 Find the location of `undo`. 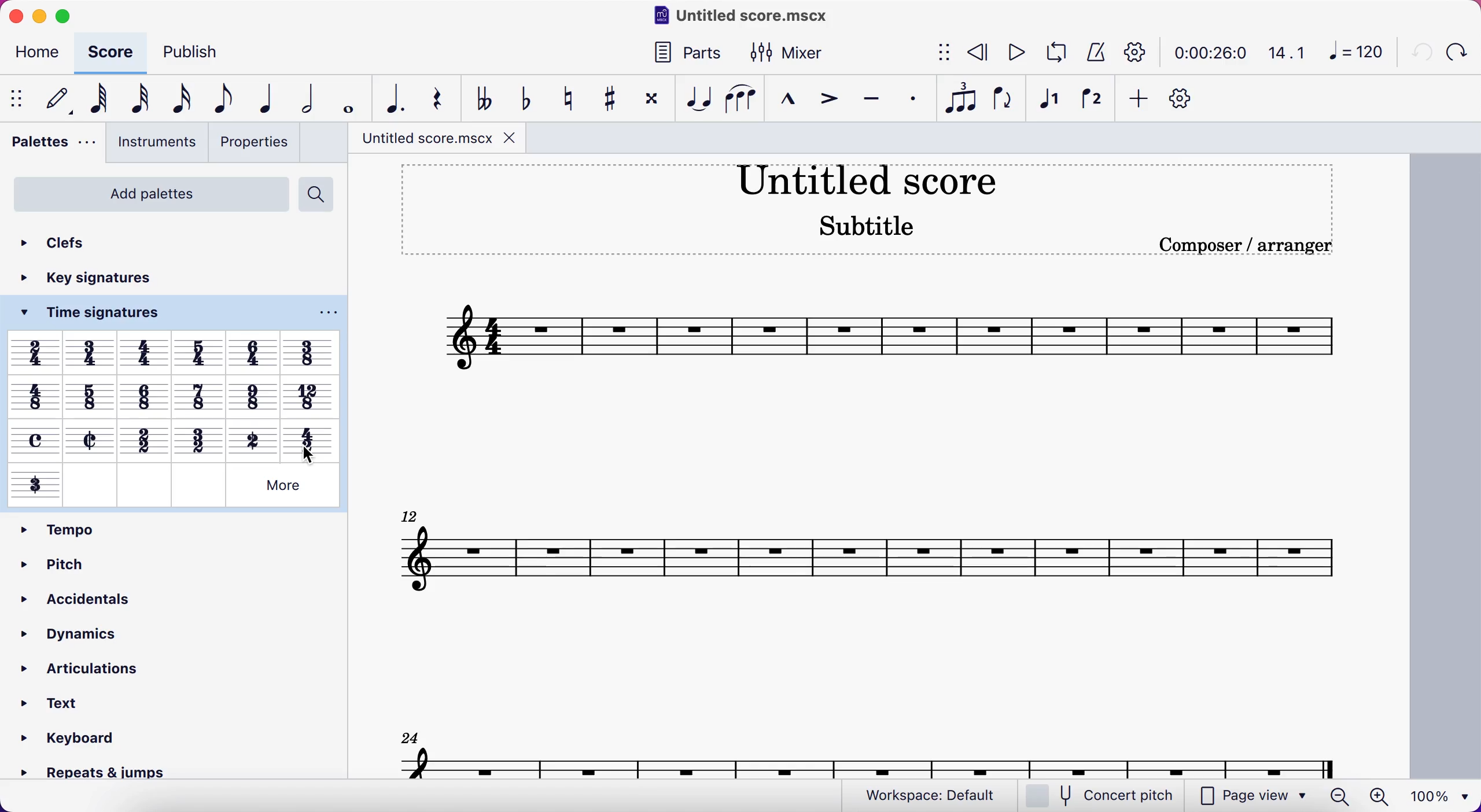

undo is located at coordinates (1420, 50).